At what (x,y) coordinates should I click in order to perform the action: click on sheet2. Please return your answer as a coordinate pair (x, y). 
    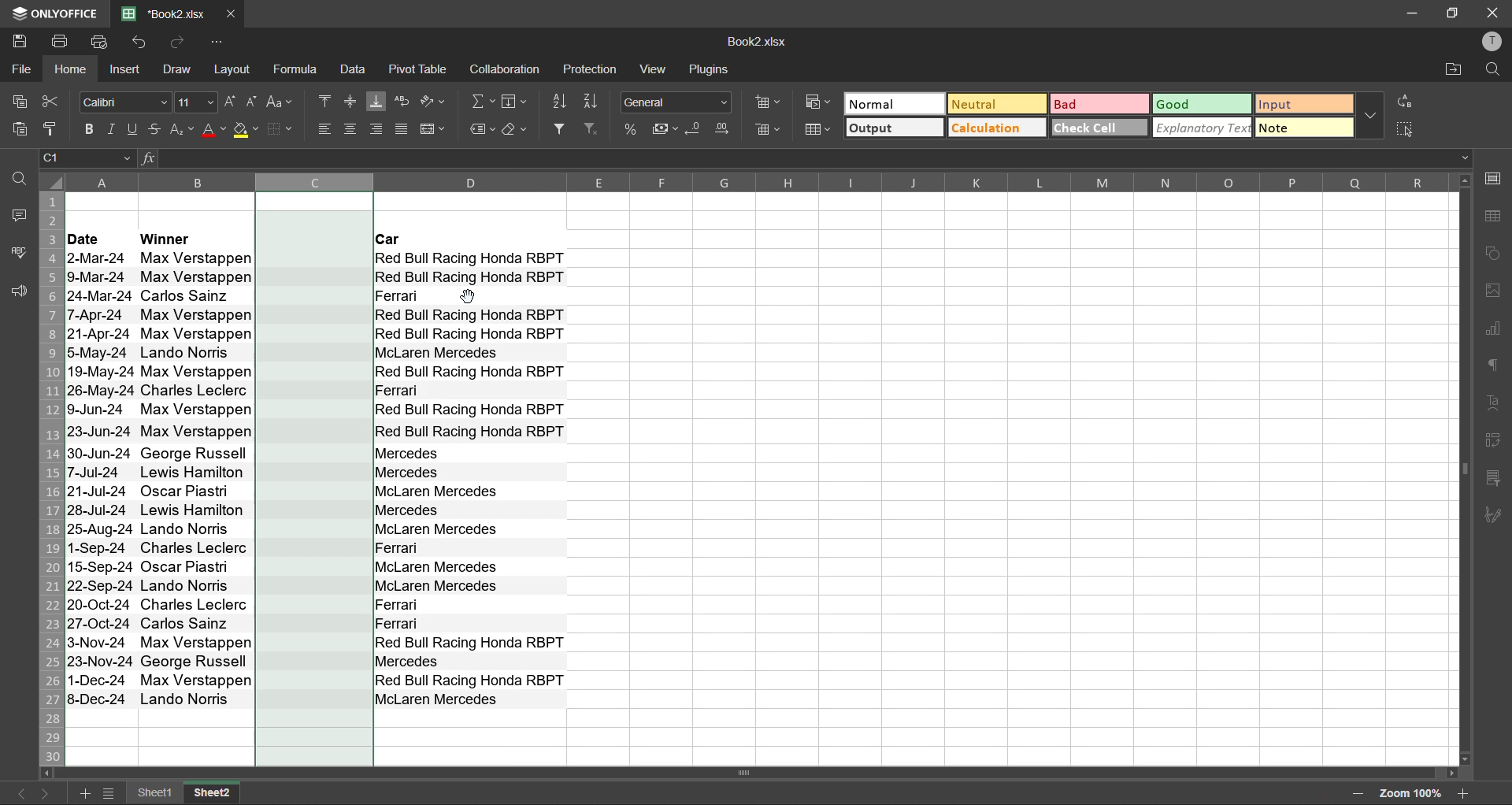
    Looking at the image, I should click on (211, 793).